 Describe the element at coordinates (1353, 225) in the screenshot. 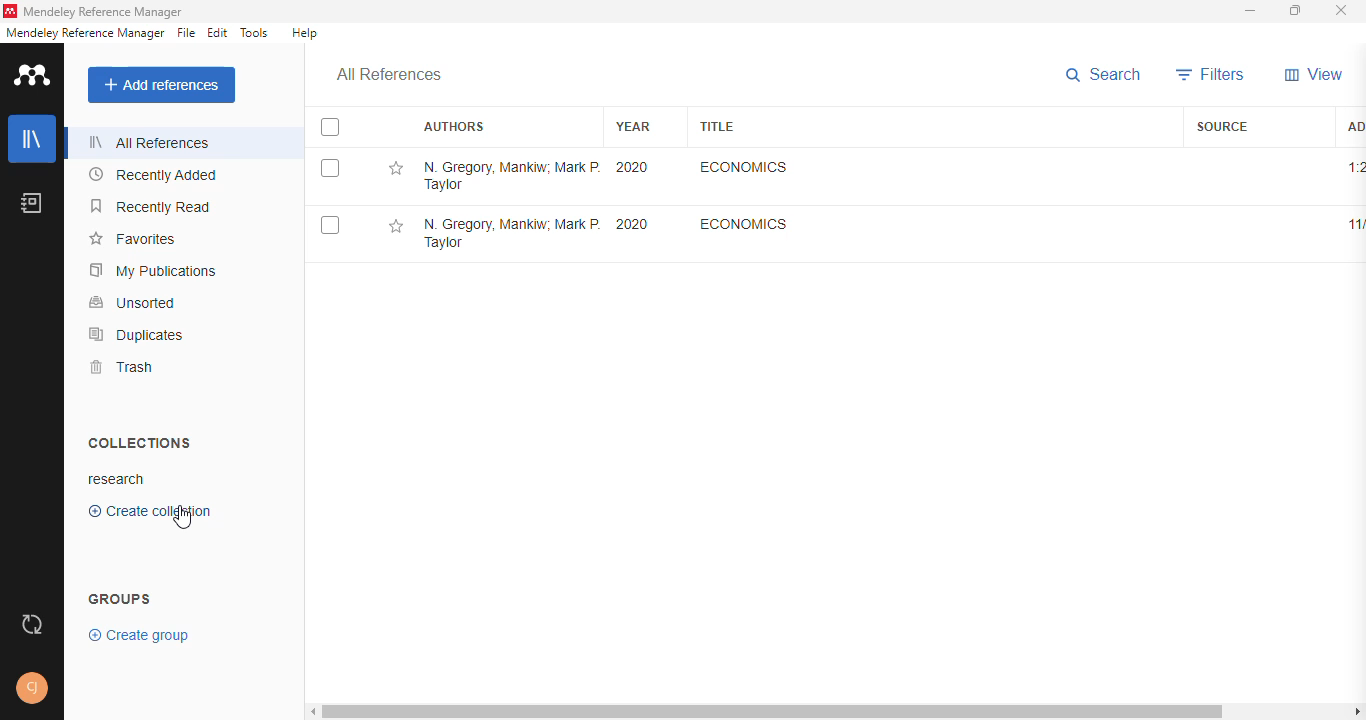

I see `11/` at that location.